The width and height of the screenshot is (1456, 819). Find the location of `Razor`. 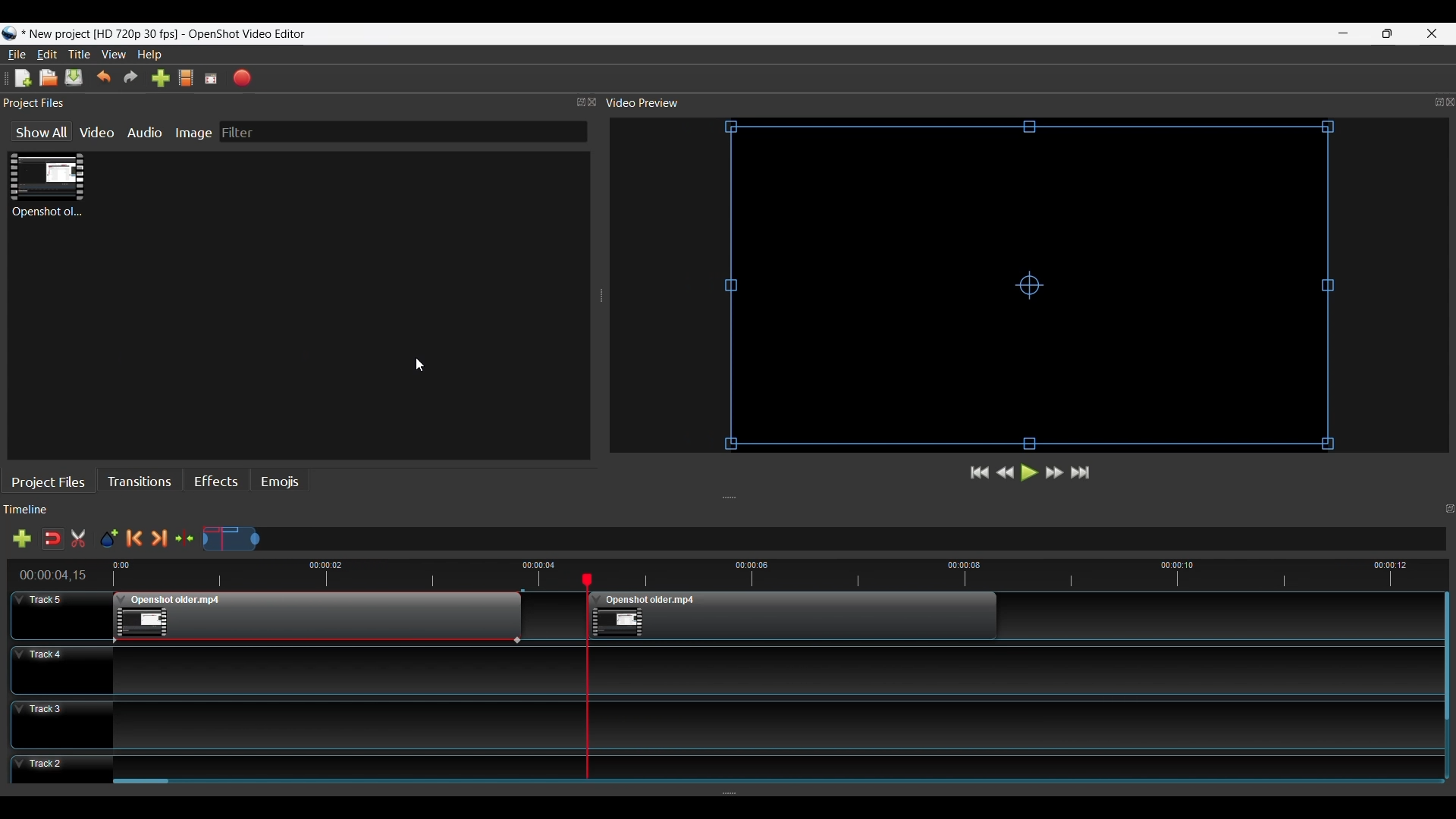

Razor is located at coordinates (80, 540).